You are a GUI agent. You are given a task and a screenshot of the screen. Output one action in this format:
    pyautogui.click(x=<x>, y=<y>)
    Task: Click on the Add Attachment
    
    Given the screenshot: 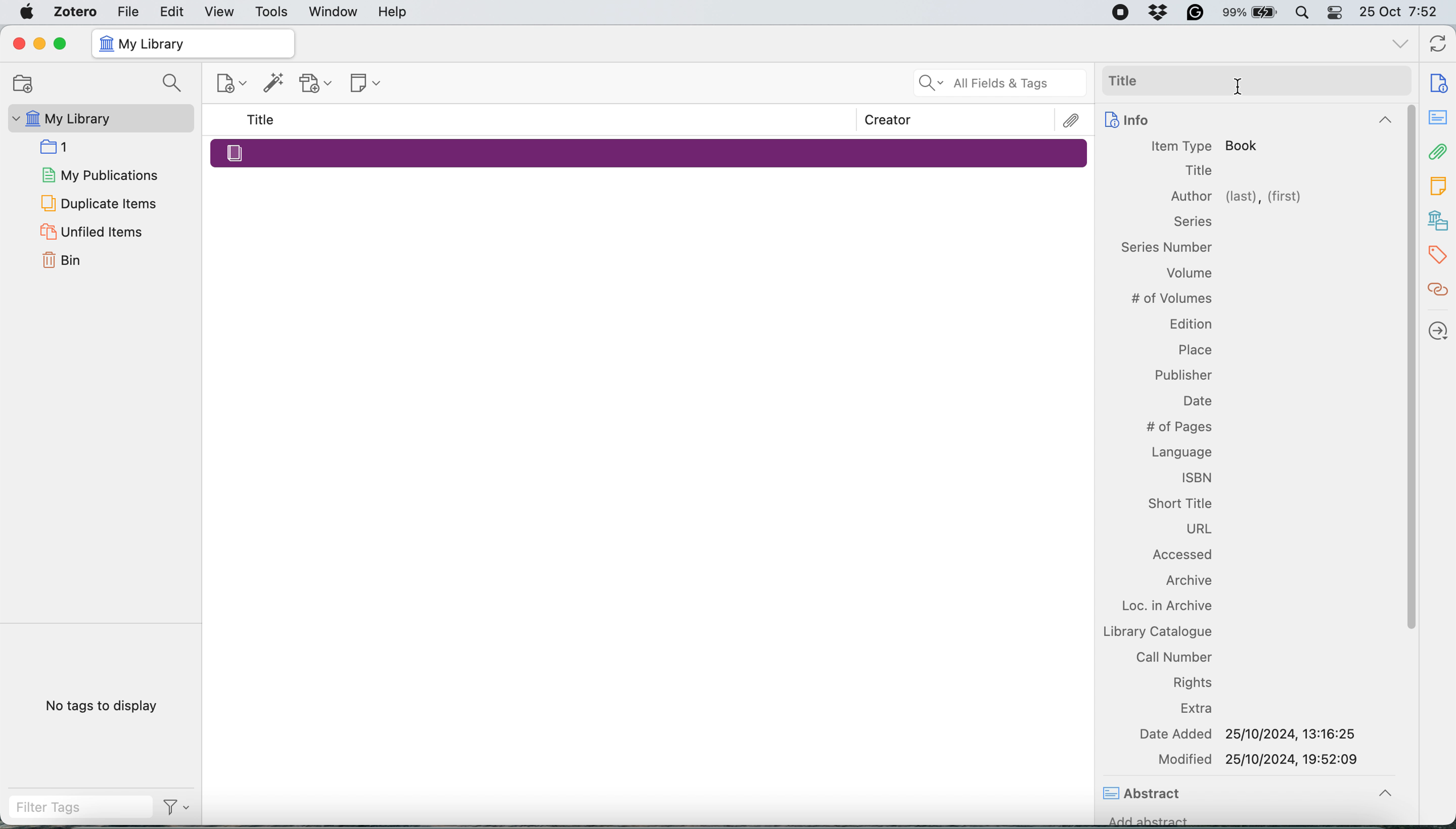 What is the action you would take?
    pyautogui.click(x=316, y=84)
    